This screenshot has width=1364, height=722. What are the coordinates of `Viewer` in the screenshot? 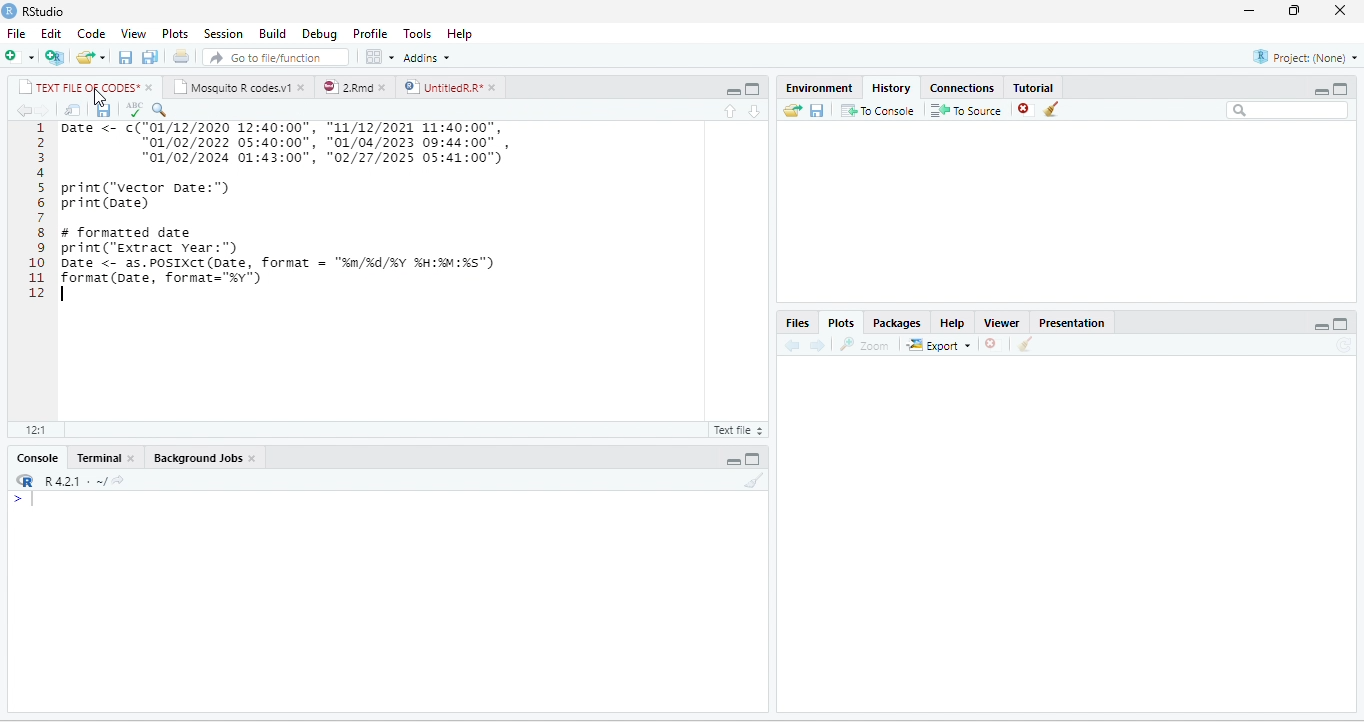 It's located at (1001, 323).